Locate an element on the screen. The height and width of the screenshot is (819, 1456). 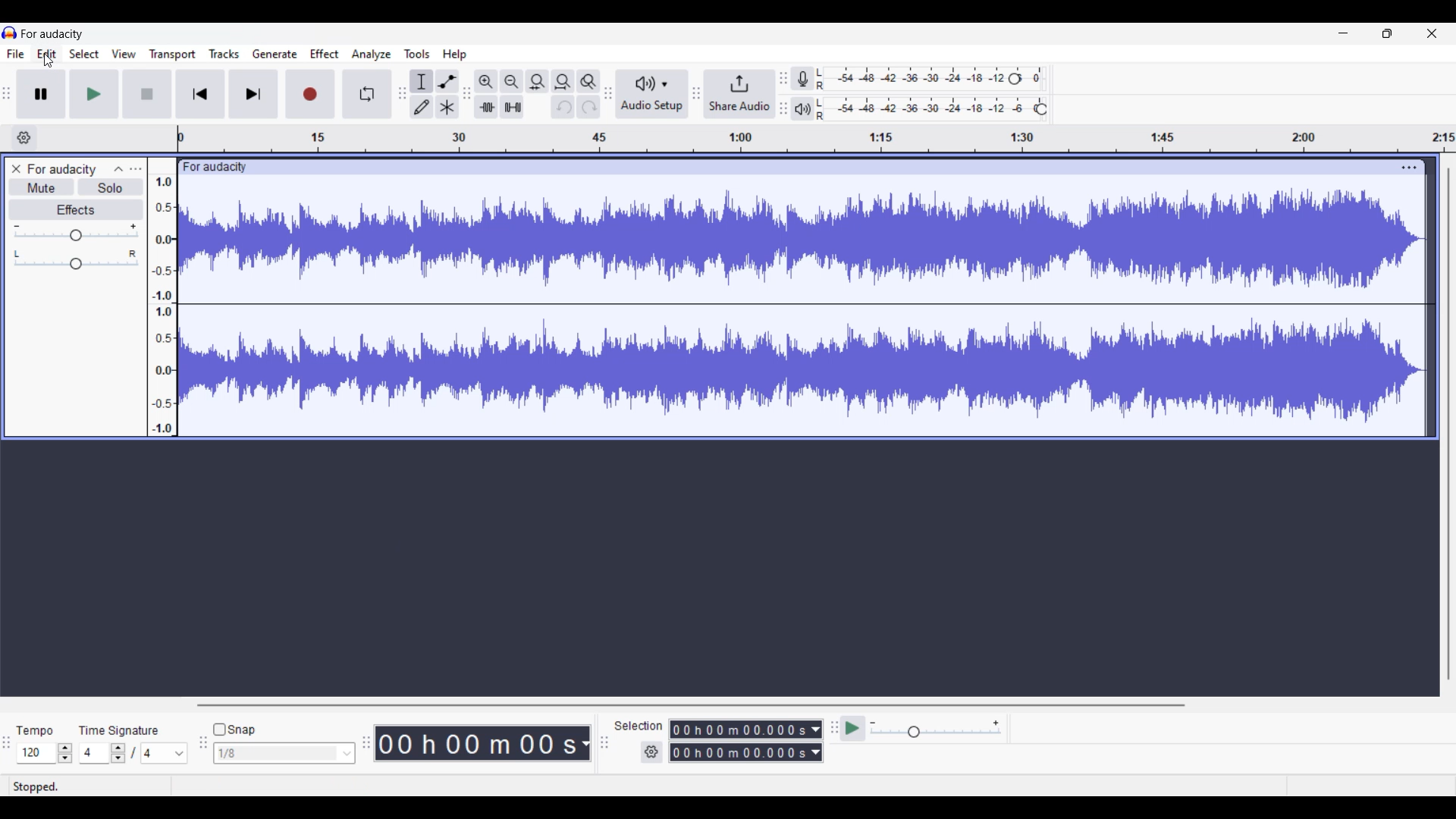
Header to change Playback level is located at coordinates (1041, 109).